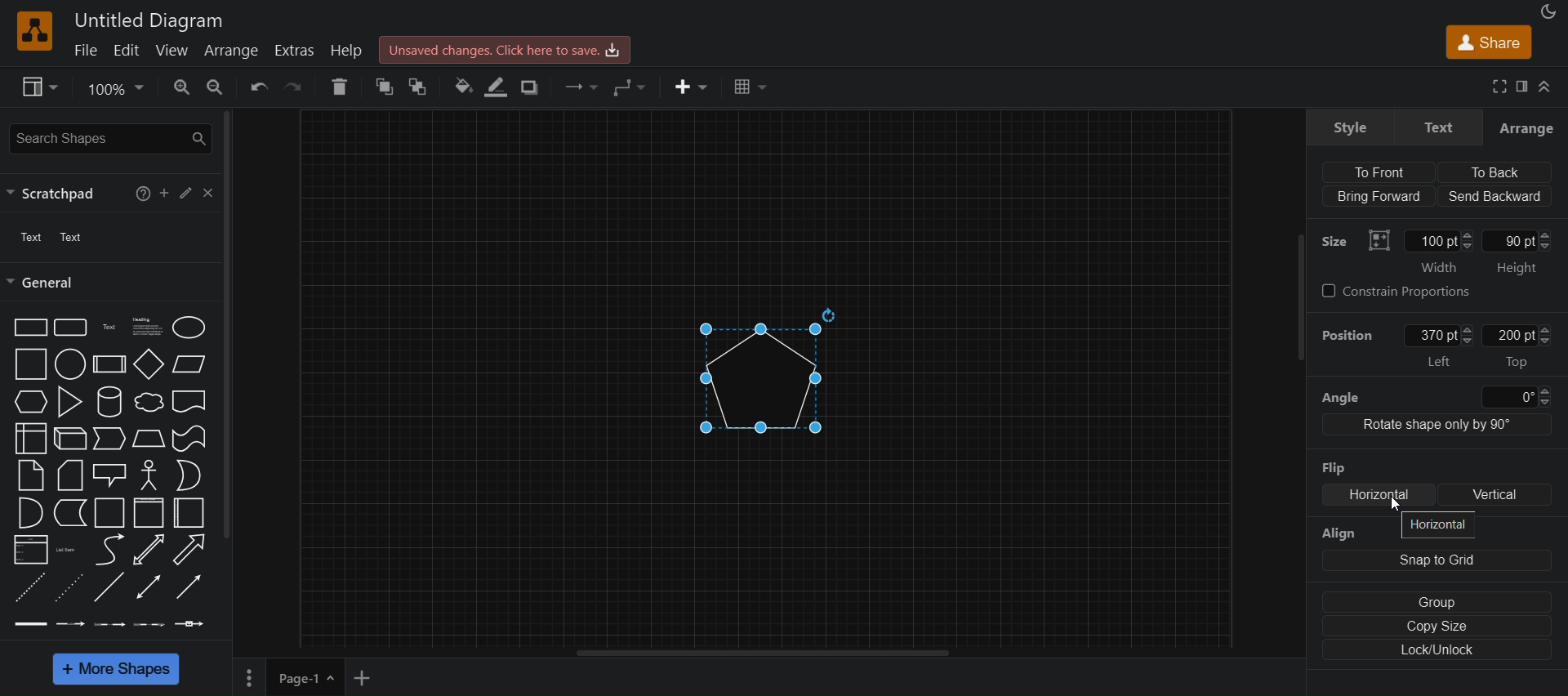 The height and width of the screenshot is (696, 1568). Describe the element at coordinates (149, 587) in the screenshot. I see `Bidirectional connector` at that location.